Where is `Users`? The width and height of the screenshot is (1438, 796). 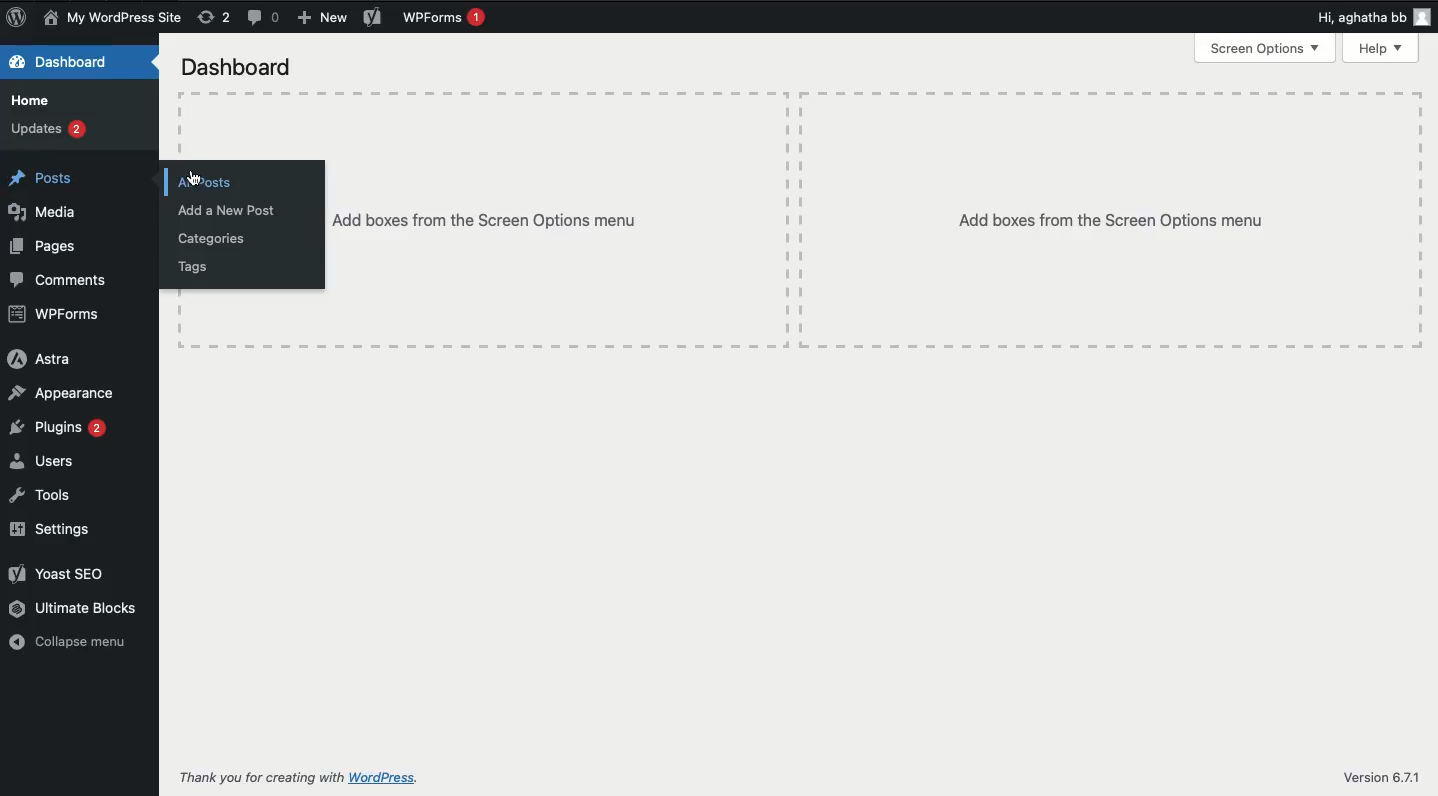 Users is located at coordinates (43, 461).